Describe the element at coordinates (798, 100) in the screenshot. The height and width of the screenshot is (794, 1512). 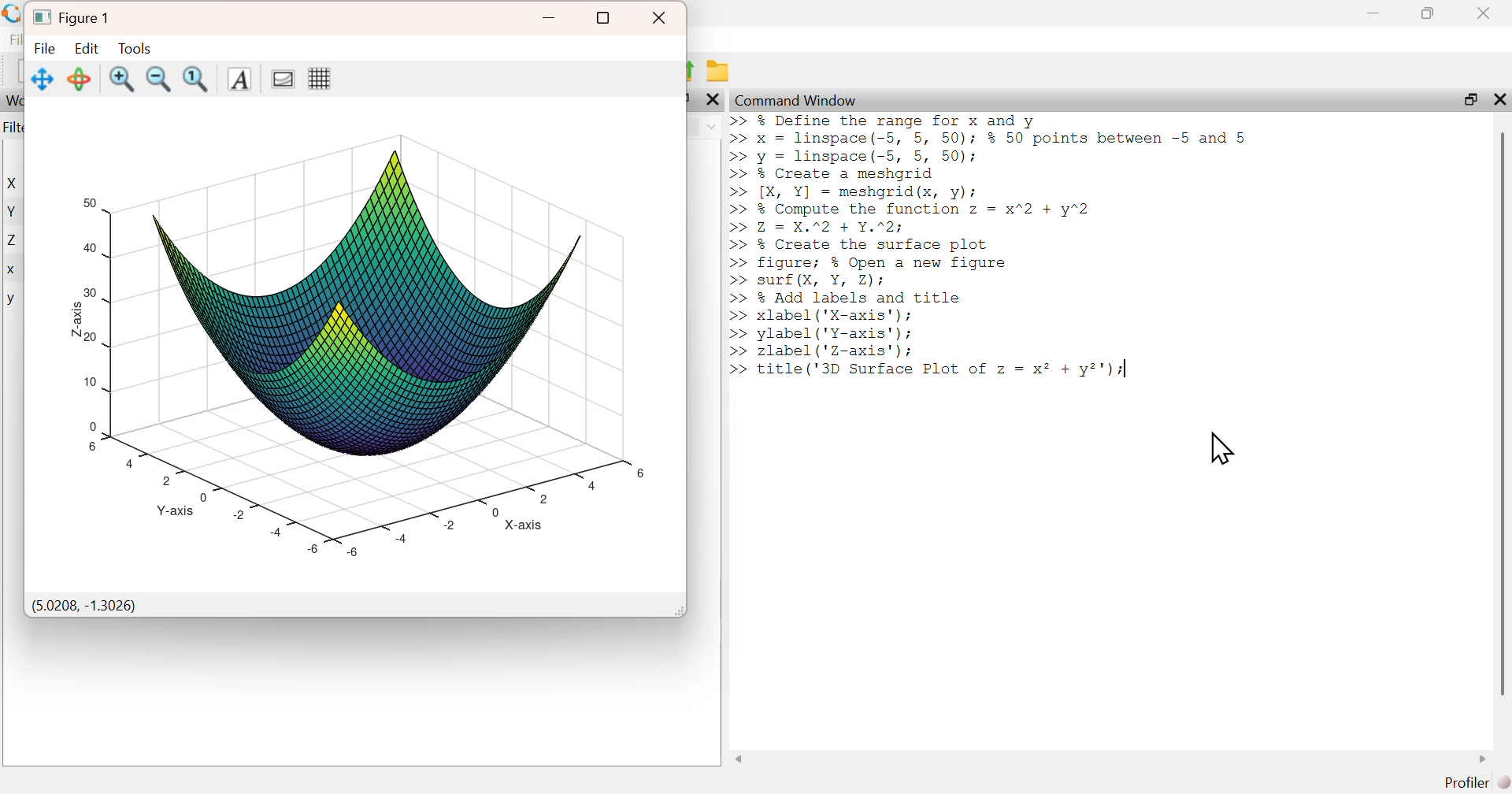
I see `Command Window` at that location.